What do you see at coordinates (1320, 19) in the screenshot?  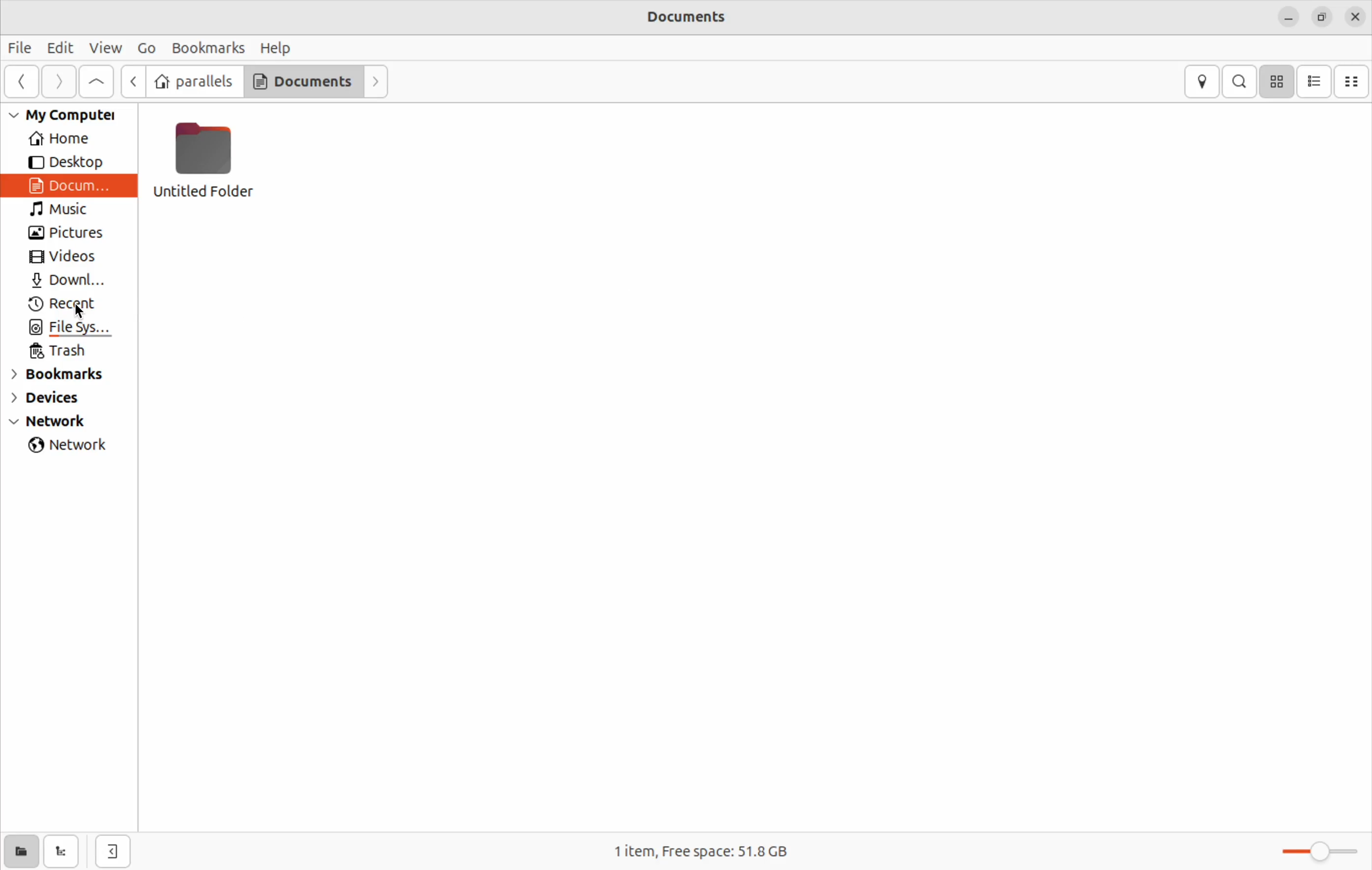 I see `resize` at bounding box center [1320, 19].